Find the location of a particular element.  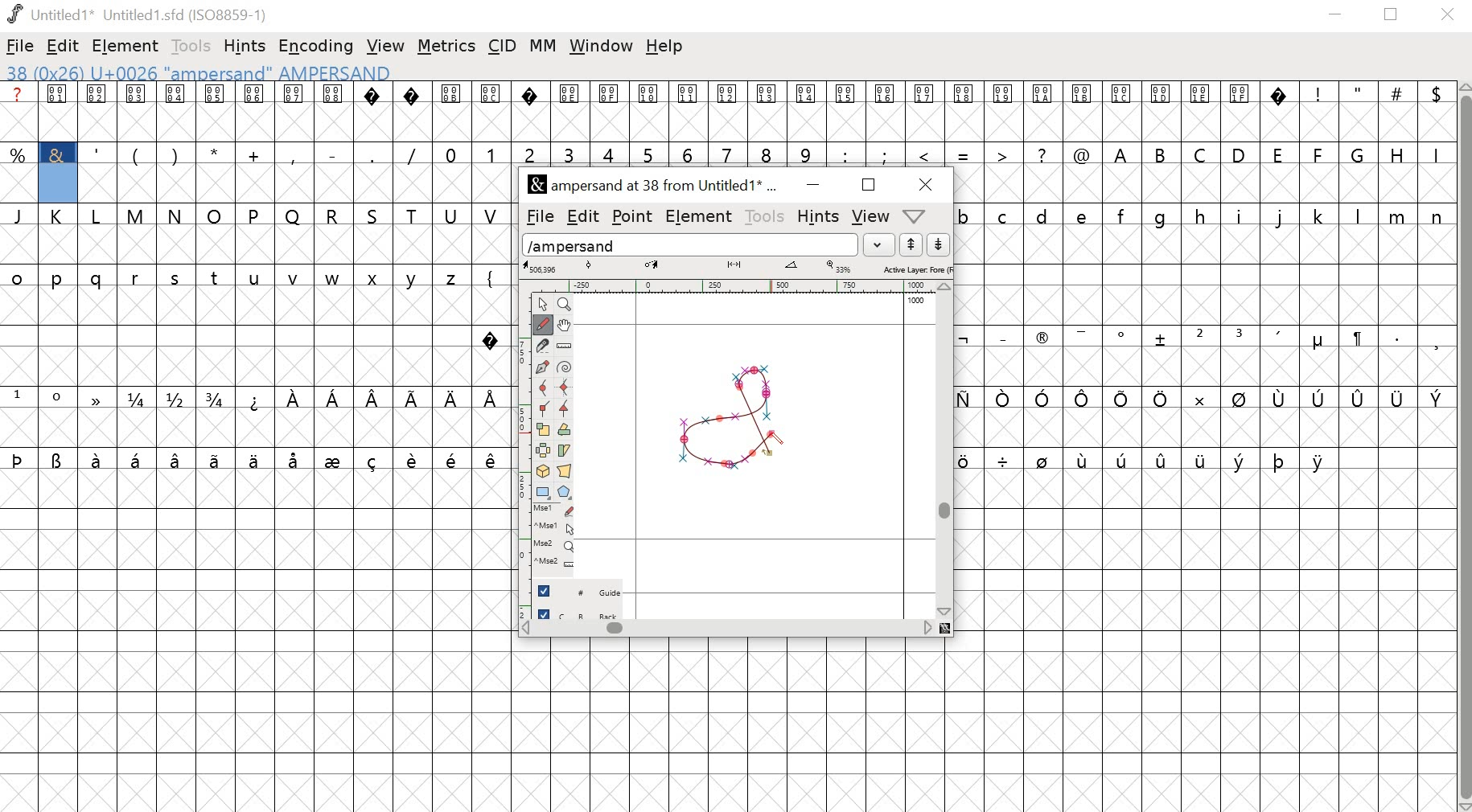

symbol is located at coordinates (965, 459).